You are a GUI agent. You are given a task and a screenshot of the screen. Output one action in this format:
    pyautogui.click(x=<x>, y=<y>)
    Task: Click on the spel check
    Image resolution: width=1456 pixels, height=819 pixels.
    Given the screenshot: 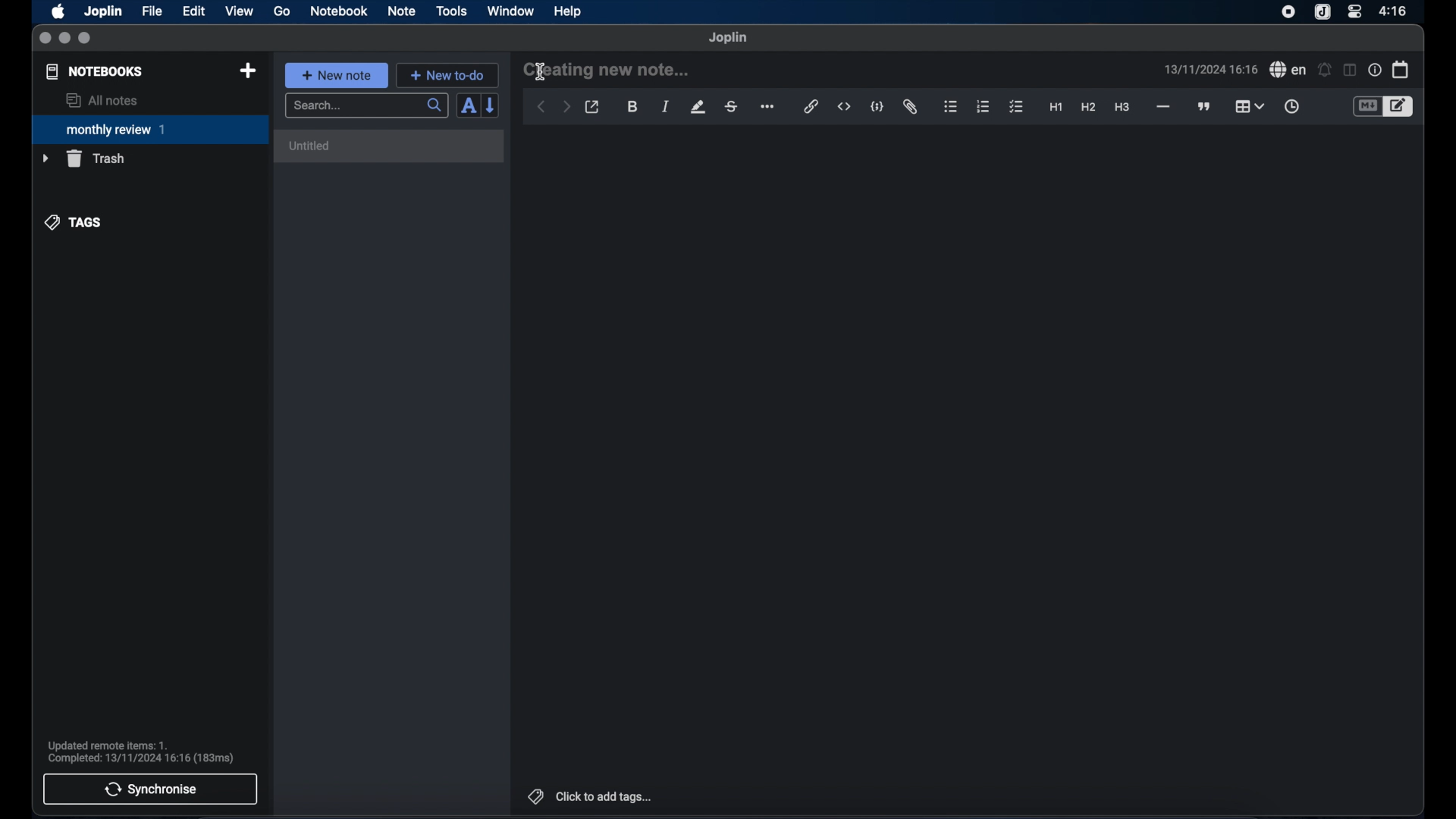 What is the action you would take?
    pyautogui.click(x=1288, y=70)
    